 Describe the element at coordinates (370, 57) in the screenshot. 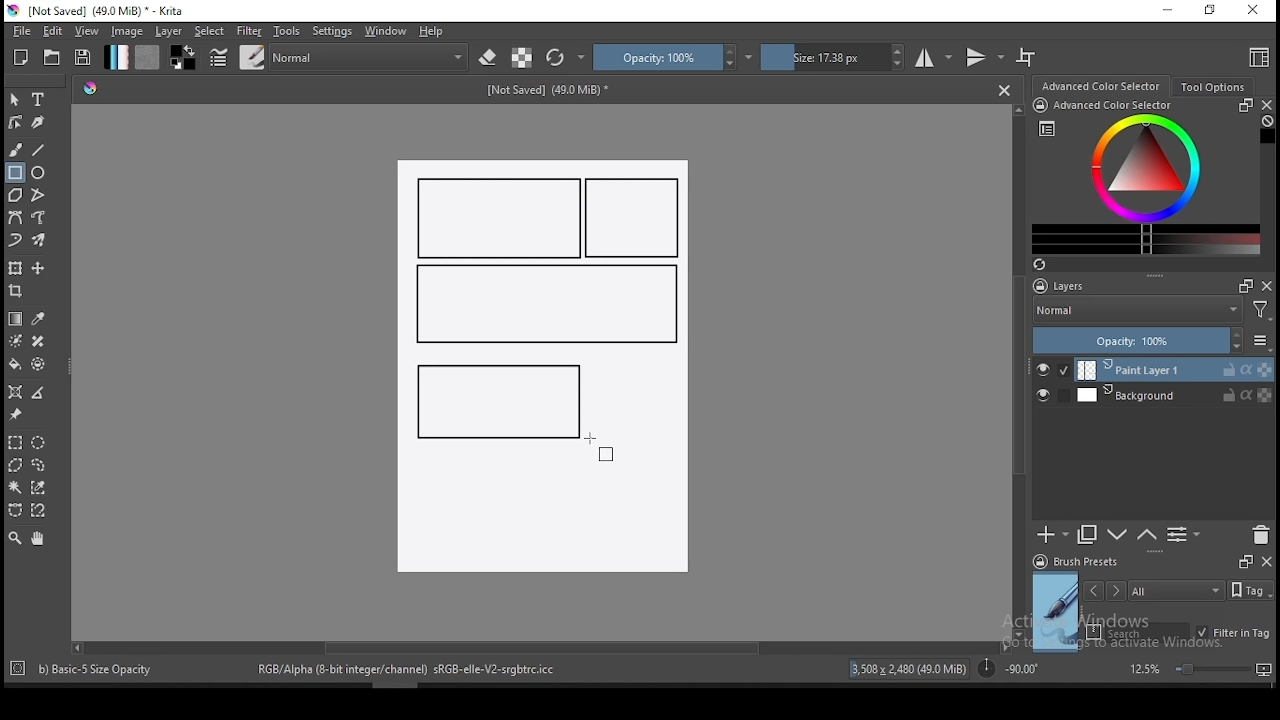

I see `blending mode` at that location.